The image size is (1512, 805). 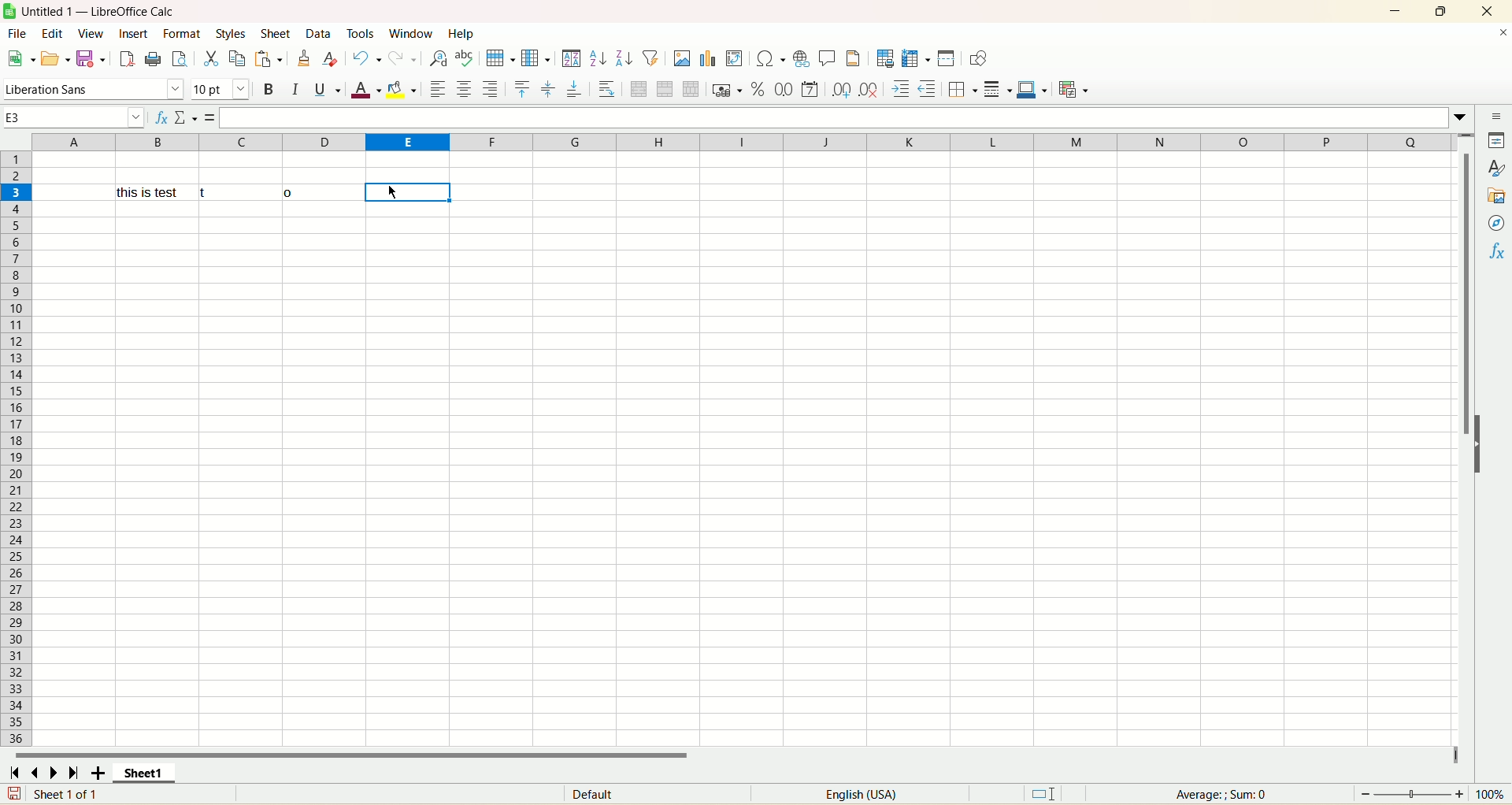 What do you see at coordinates (979, 58) in the screenshot?
I see `draw function` at bounding box center [979, 58].